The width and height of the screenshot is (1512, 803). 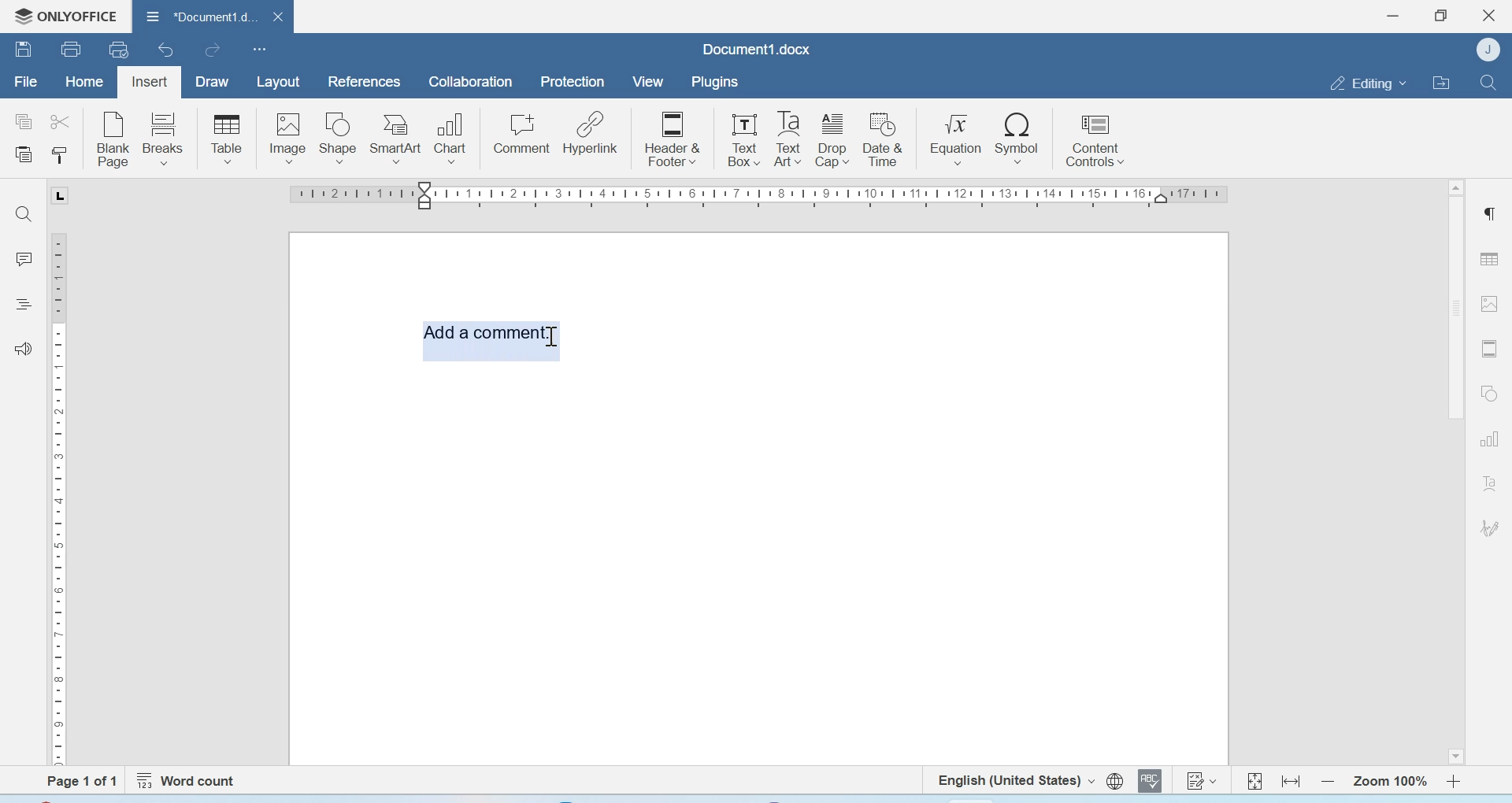 I want to click on breaks, so click(x=164, y=137).